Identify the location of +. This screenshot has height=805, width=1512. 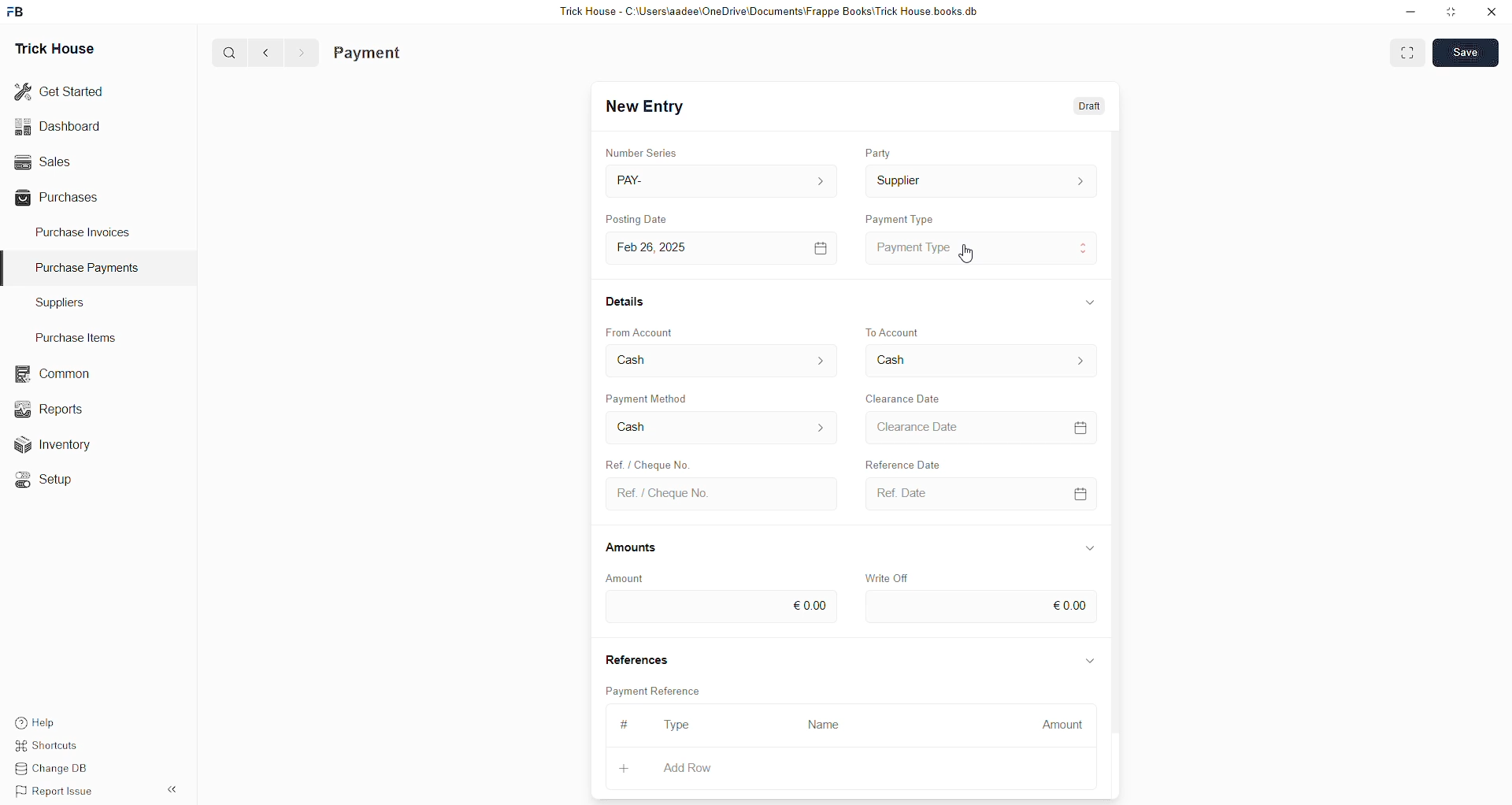
(623, 769).